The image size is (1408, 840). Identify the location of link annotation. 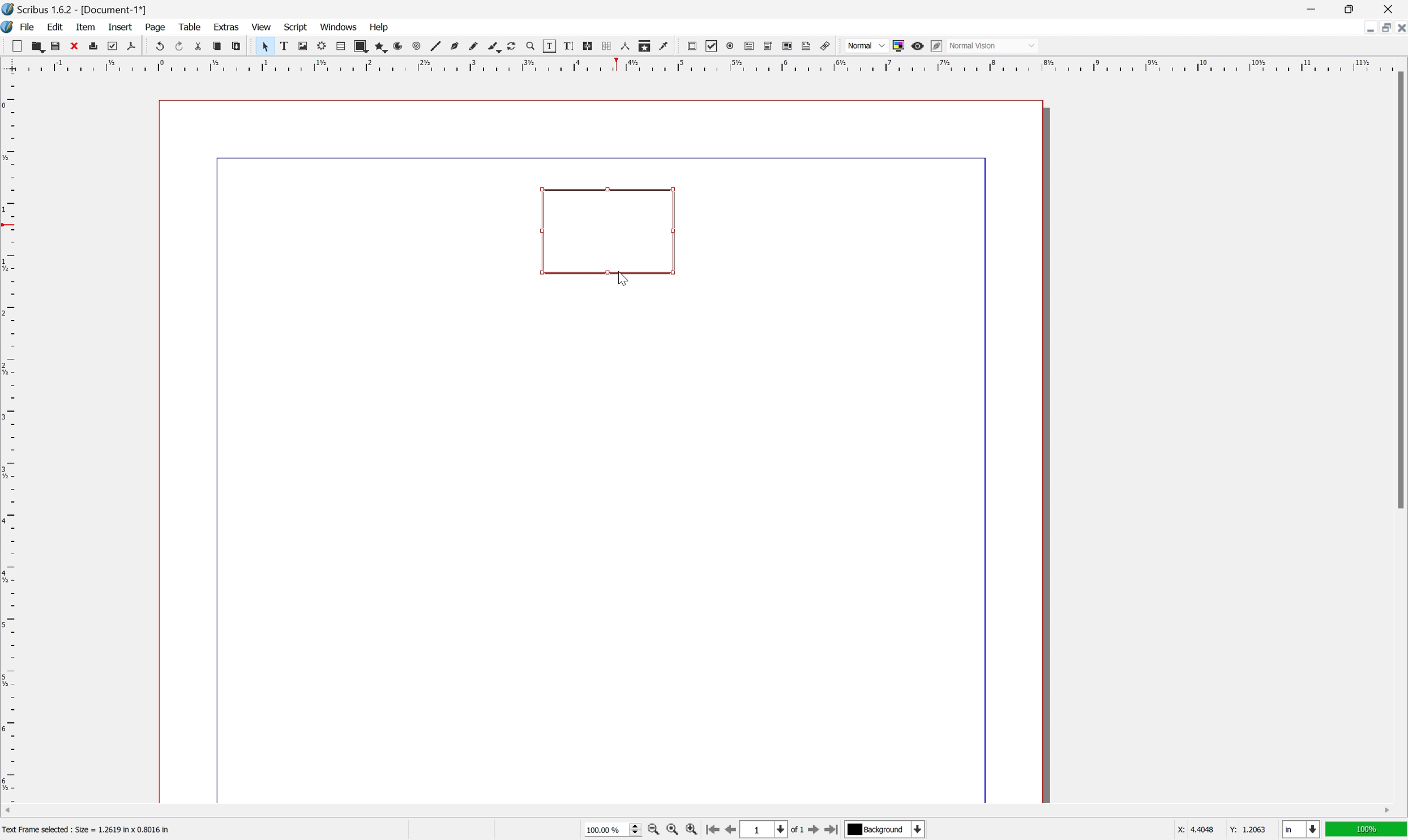
(827, 46).